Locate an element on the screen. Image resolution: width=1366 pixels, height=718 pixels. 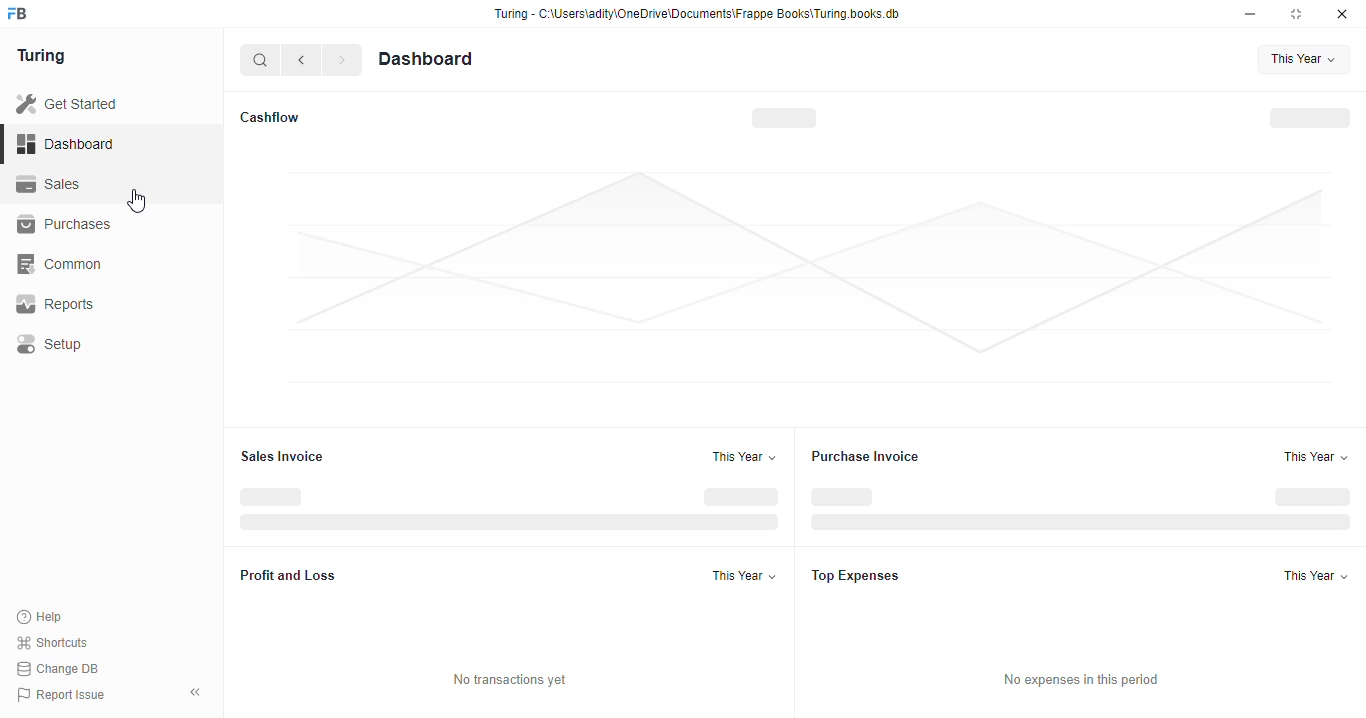
Top Expenses is located at coordinates (857, 574).